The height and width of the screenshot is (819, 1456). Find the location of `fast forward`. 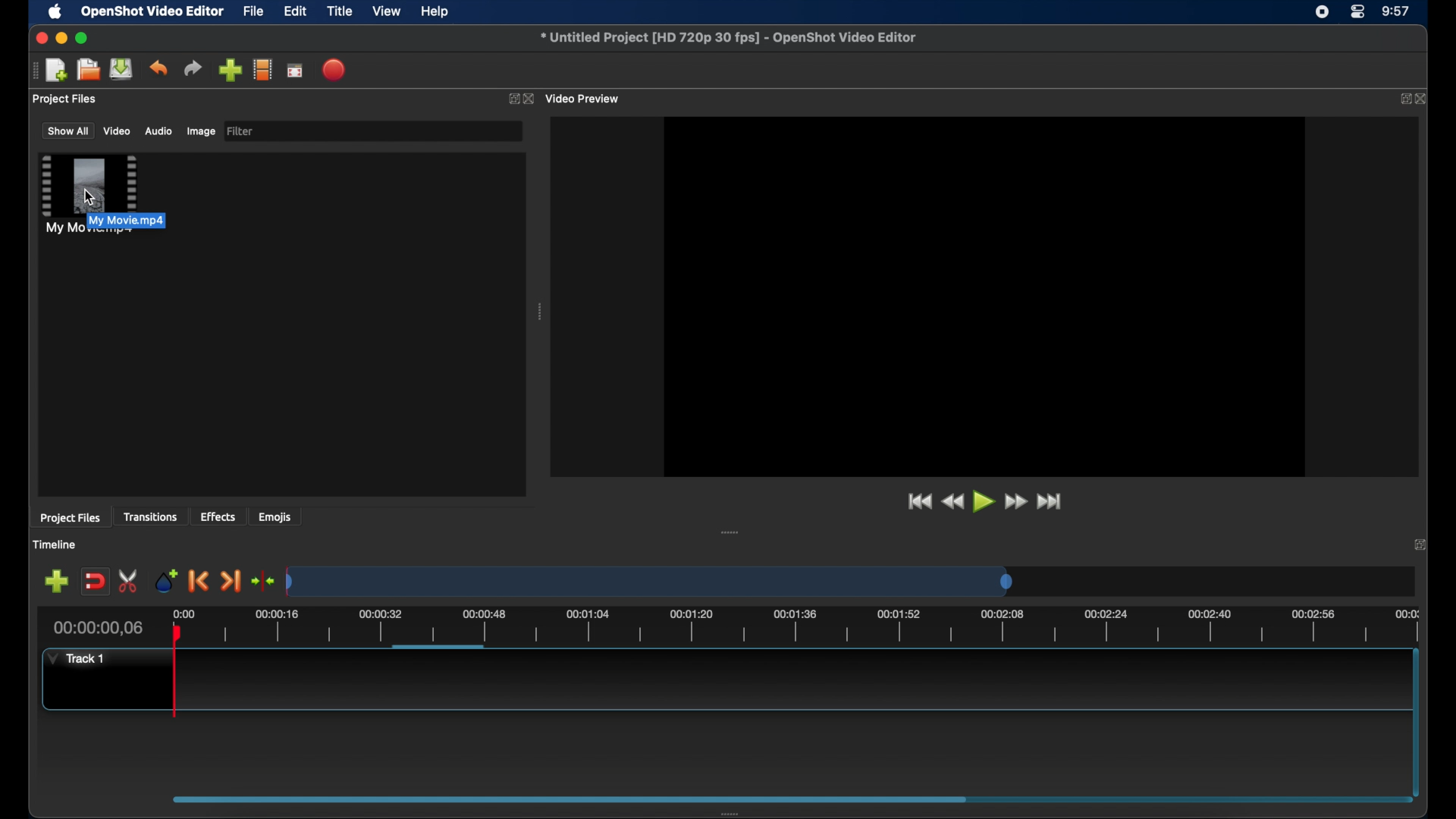

fast forward is located at coordinates (1017, 502).